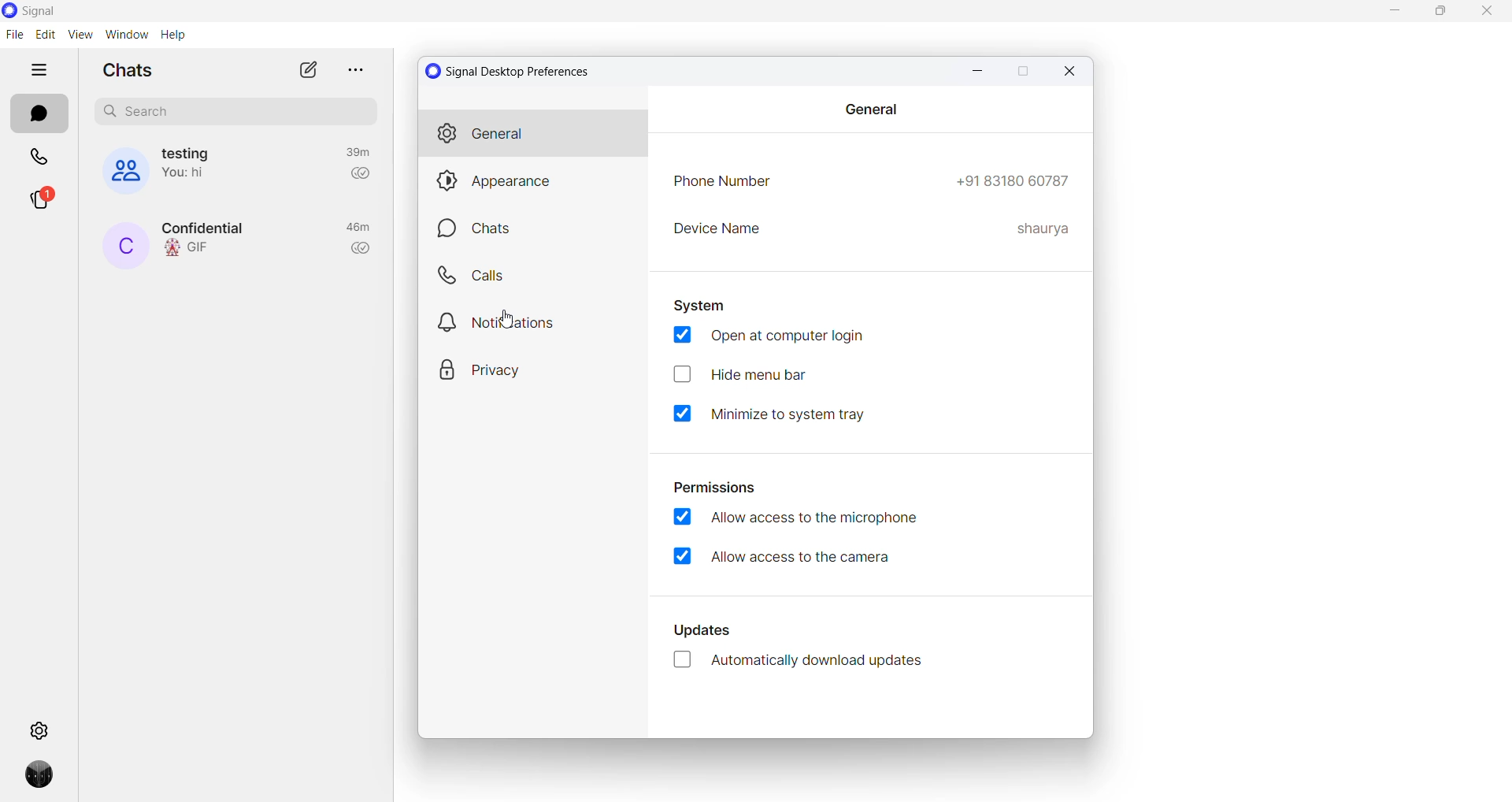  Describe the element at coordinates (780, 412) in the screenshot. I see `minimize to system tray checkbox` at that location.